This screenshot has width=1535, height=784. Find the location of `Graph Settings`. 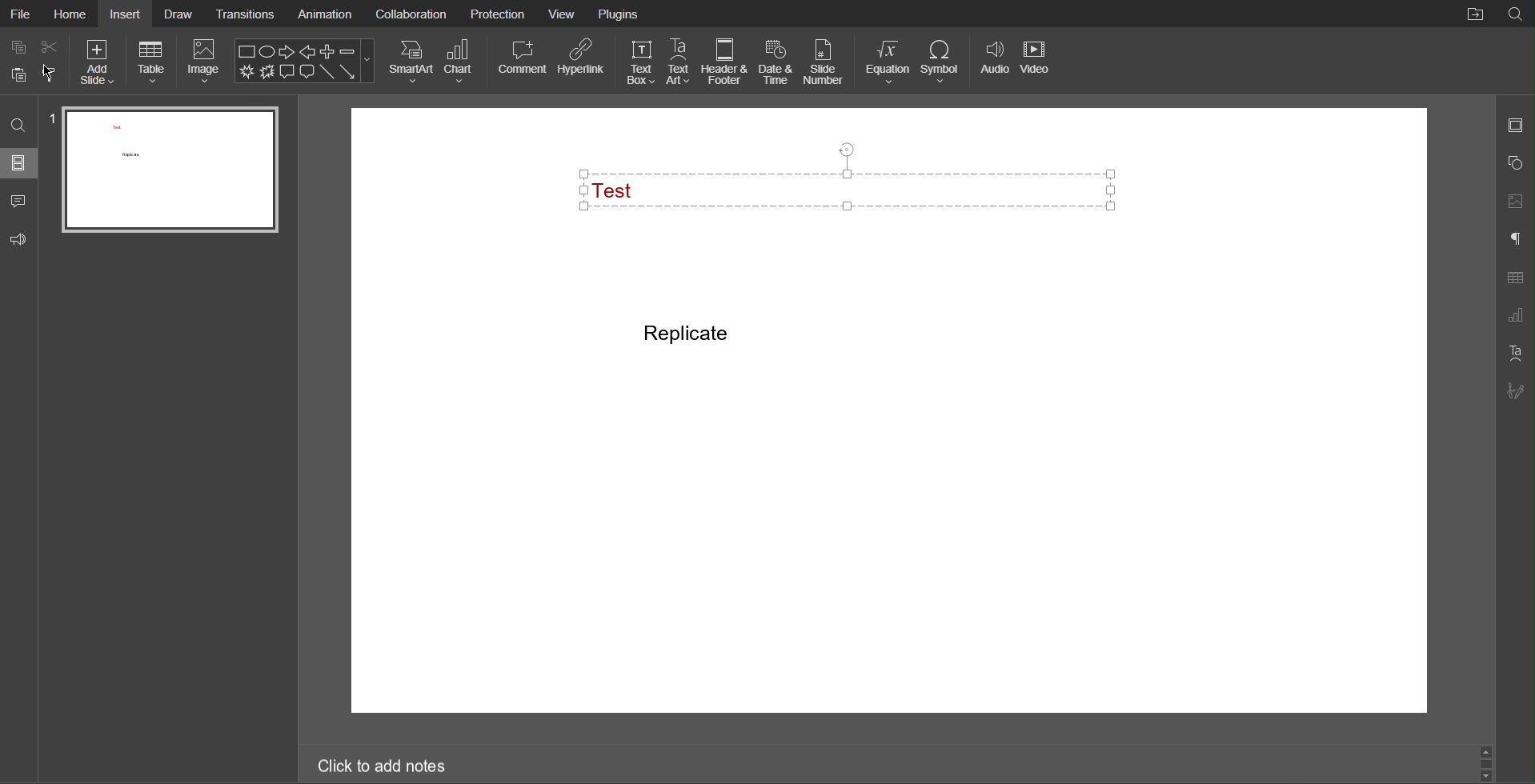

Graph Settings is located at coordinates (1514, 316).